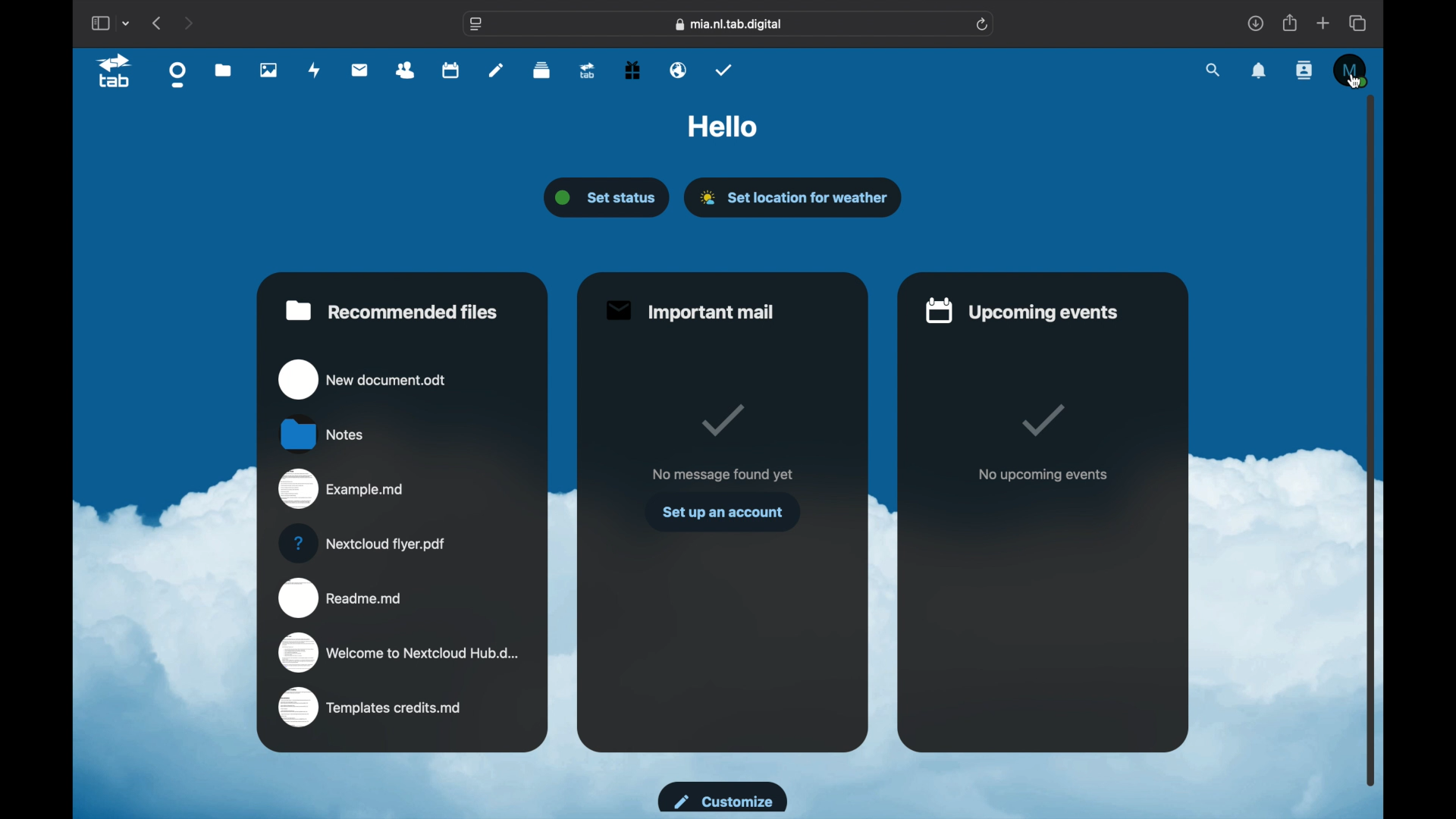 The image size is (1456, 819). Describe the element at coordinates (496, 70) in the screenshot. I see `notes` at that location.